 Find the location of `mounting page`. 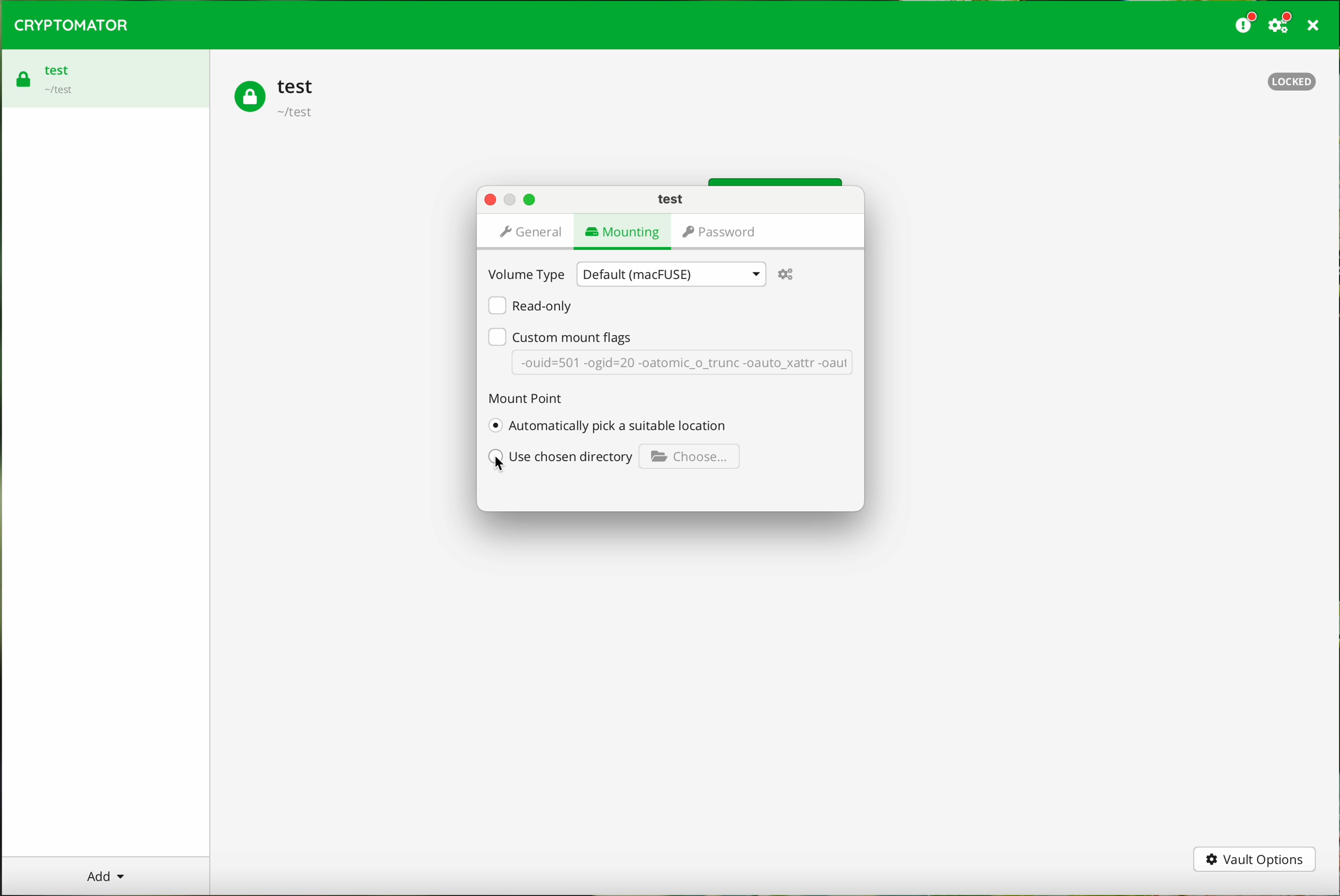

mounting page is located at coordinates (620, 233).